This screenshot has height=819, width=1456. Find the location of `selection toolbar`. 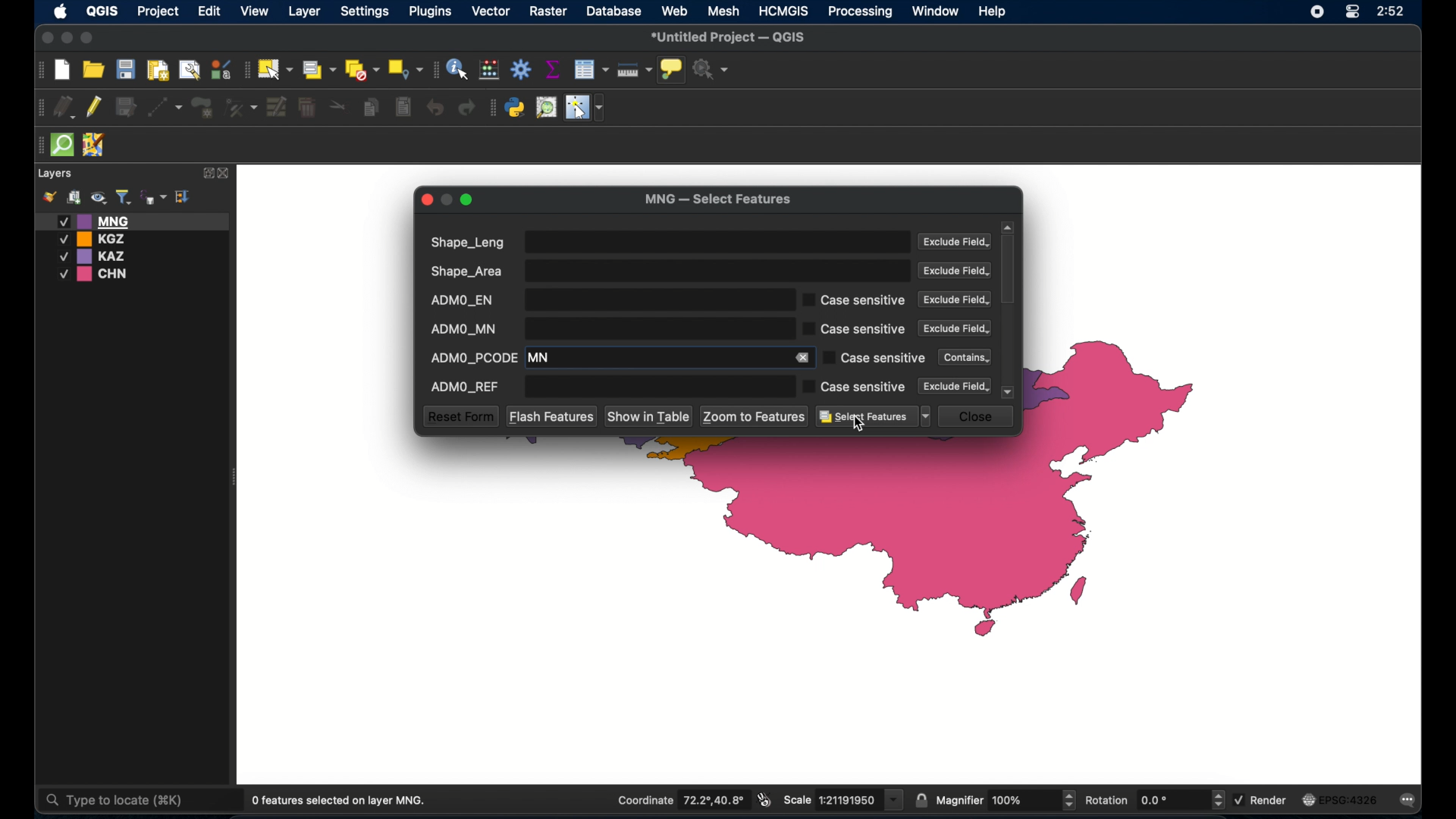

selection toolbar is located at coordinates (245, 68).